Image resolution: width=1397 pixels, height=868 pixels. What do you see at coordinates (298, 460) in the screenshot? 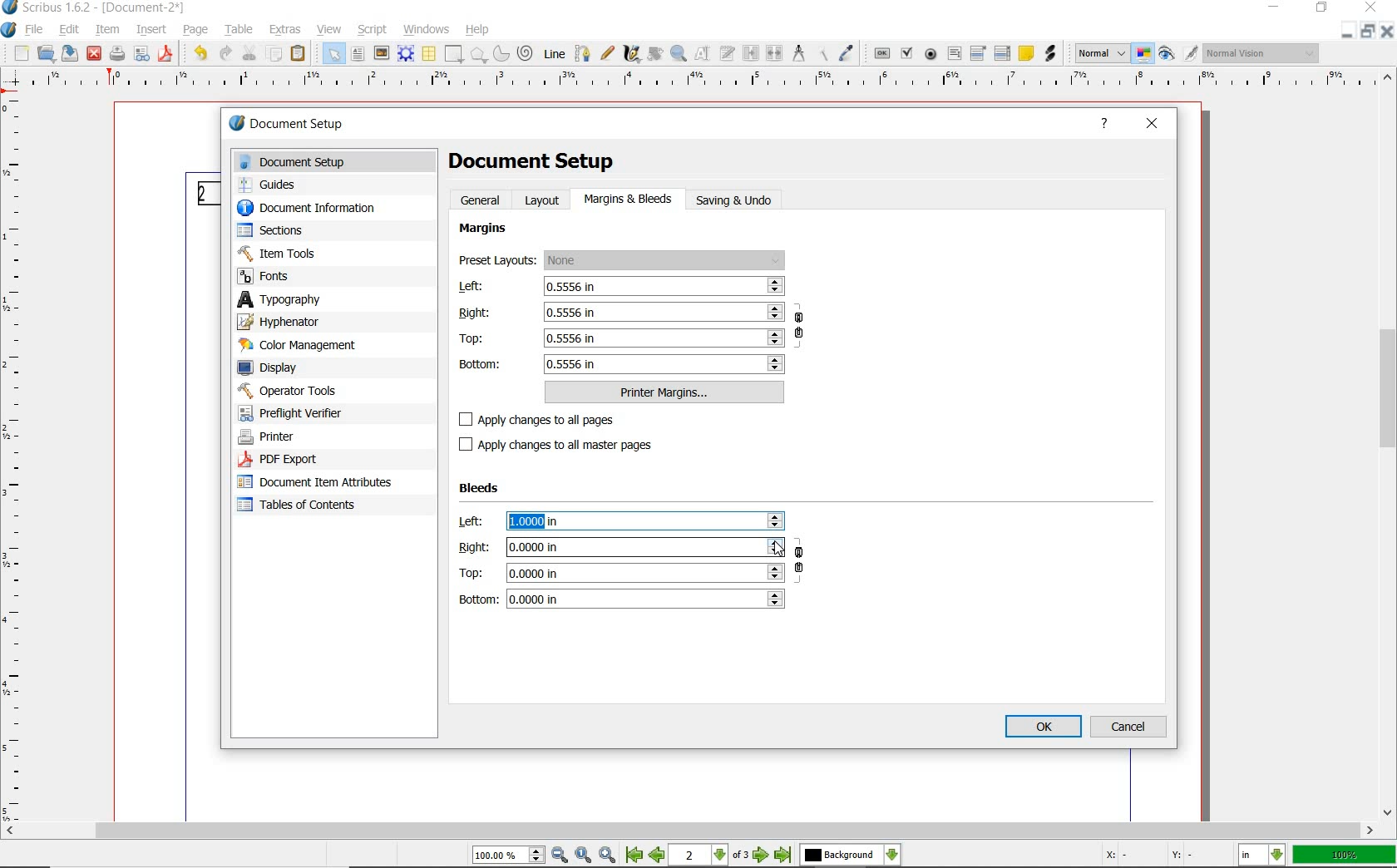
I see `pdf export` at bounding box center [298, 460].